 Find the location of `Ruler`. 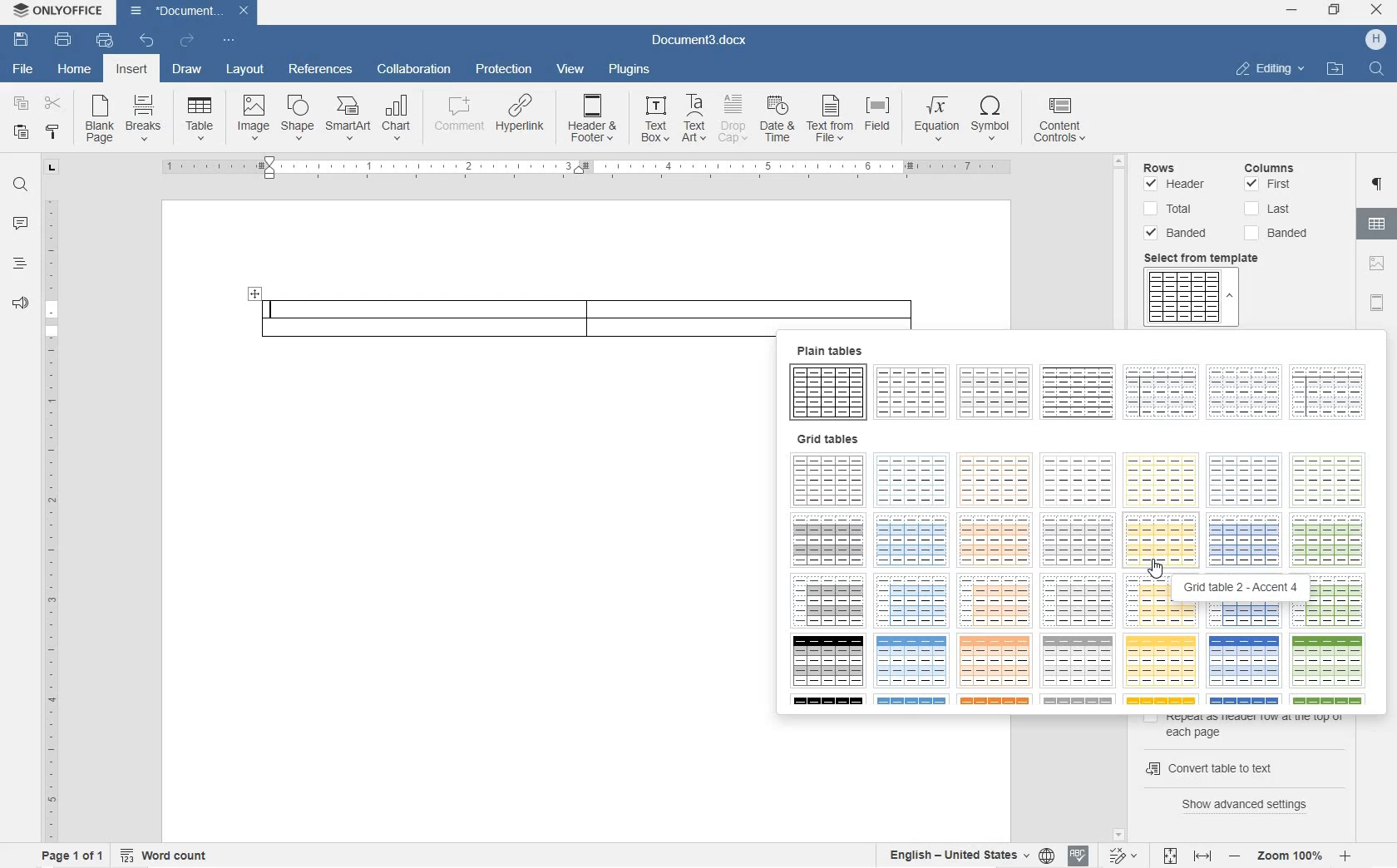

Ruler is located at coordinates (585, 169).